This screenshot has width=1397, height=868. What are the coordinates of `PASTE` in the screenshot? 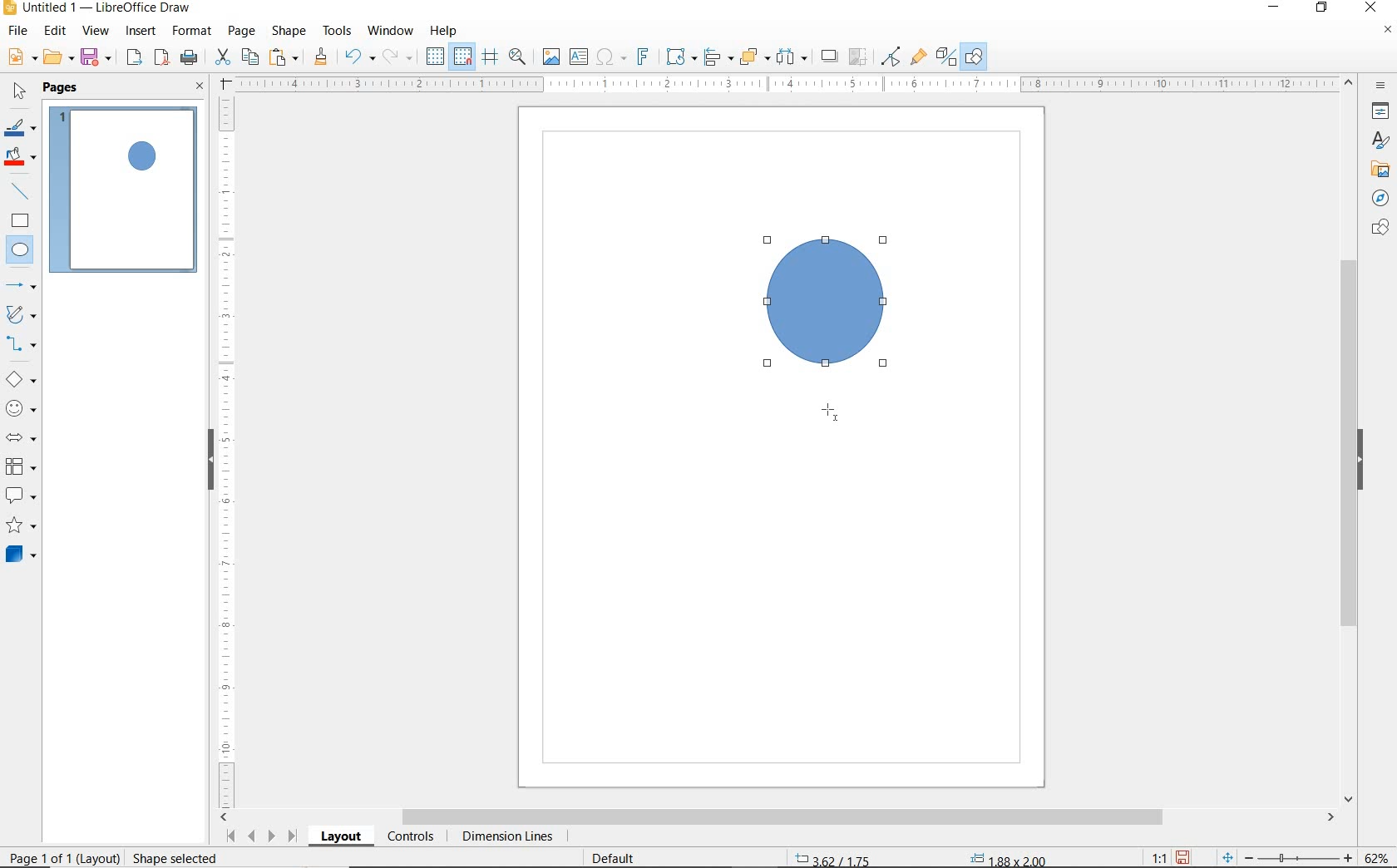 It's located at (285, 57).